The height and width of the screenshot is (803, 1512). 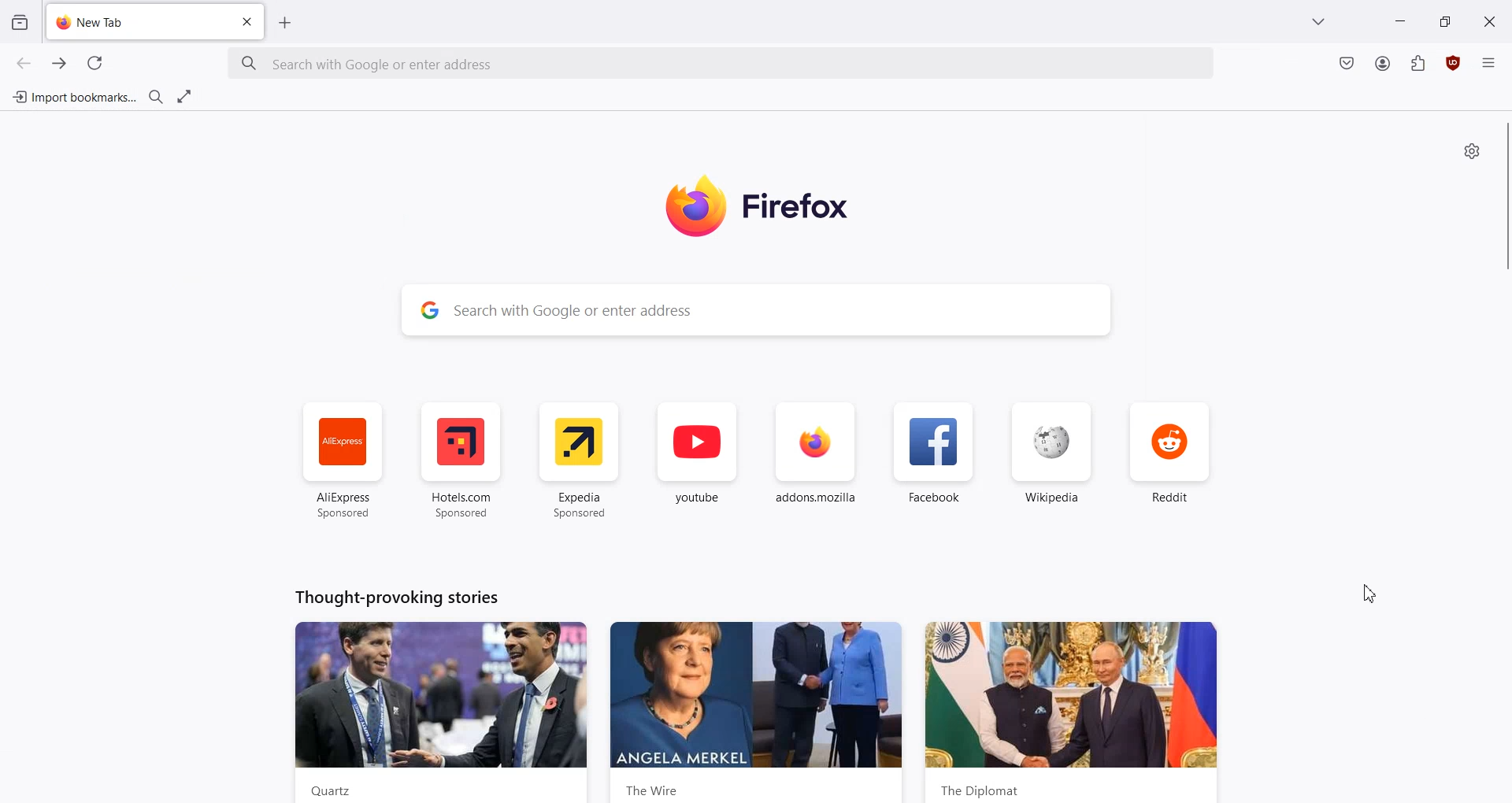 I want to click on Cursor, so click(x=1371, y=591).